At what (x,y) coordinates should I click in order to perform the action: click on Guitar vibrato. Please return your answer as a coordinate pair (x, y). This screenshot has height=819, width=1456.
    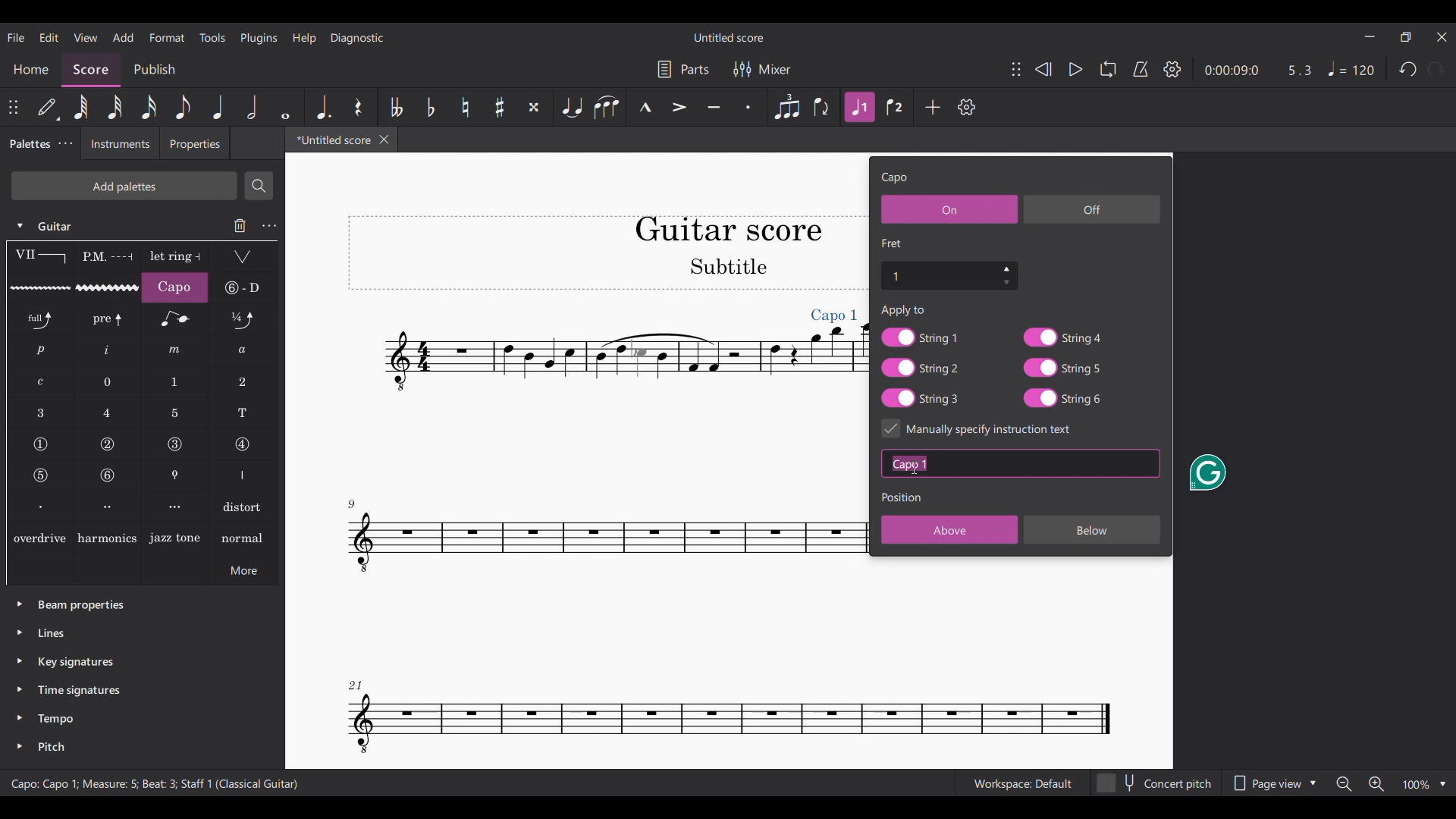
    Looking at the image, I should click on (40, 288).